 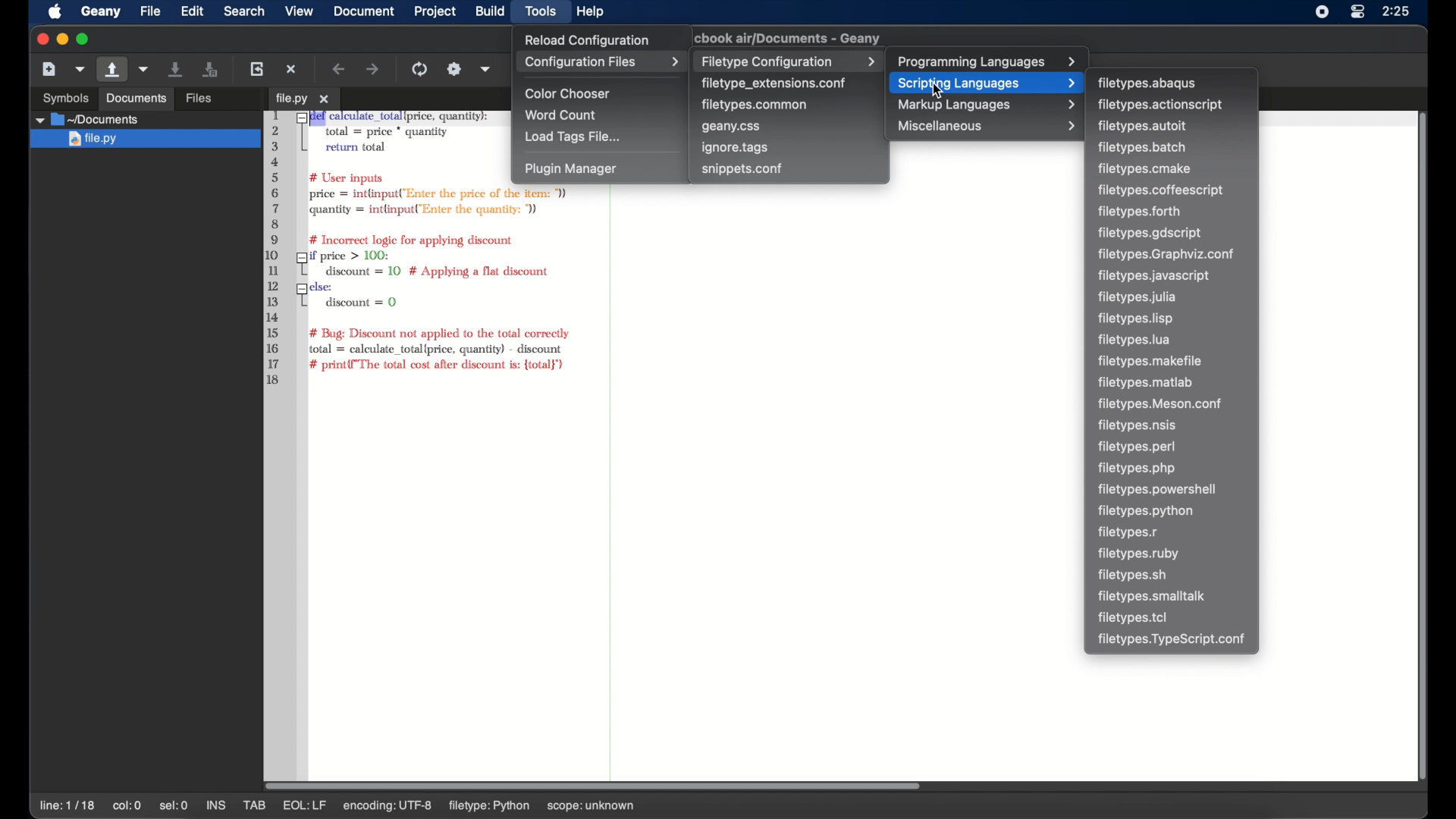 What do you see at coordinates (1150, 361) in the screenshot?
I see `filetypes` at bounding box center [1150, 361].